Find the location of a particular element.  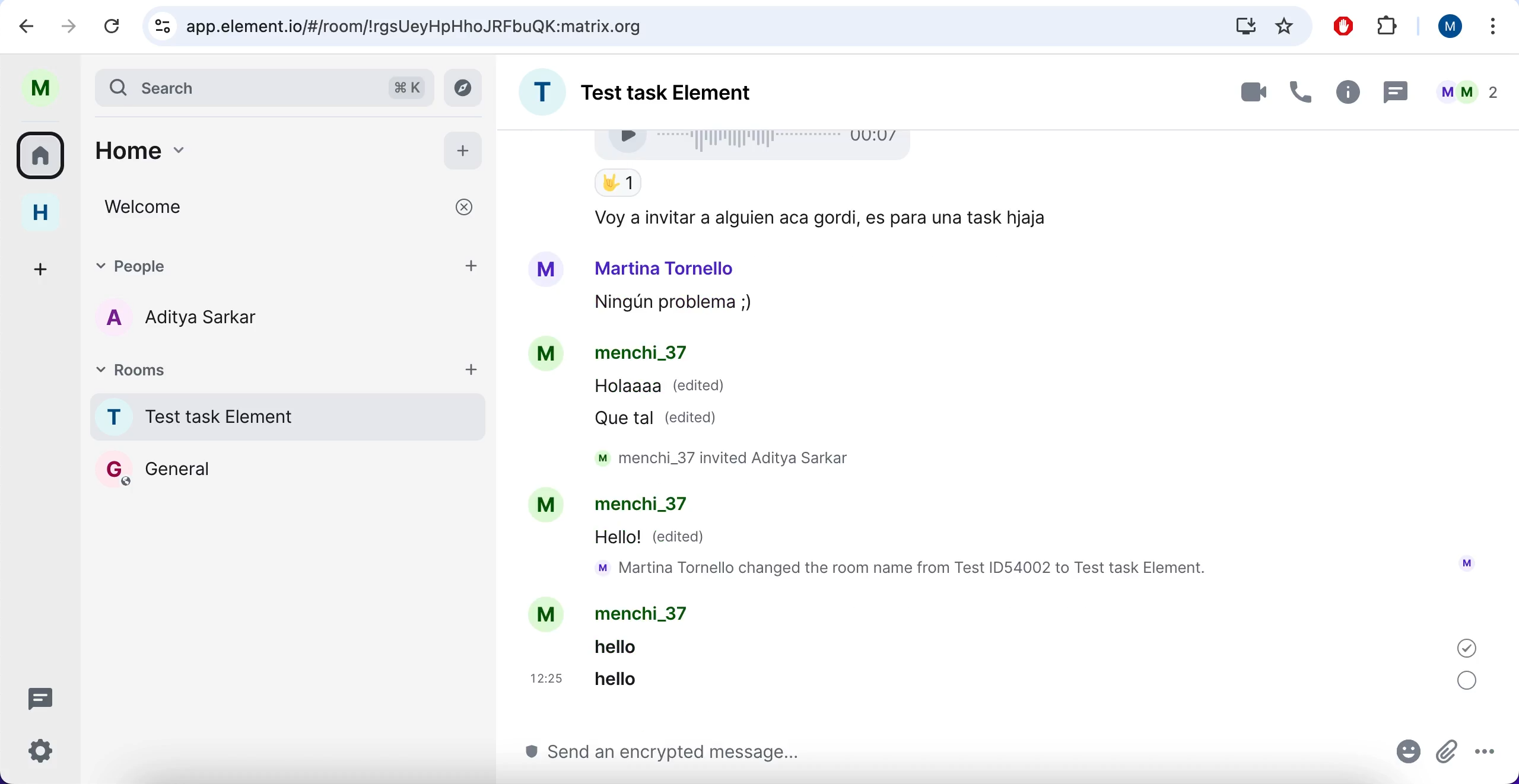

Avatar is located at coordinates (545, 506).